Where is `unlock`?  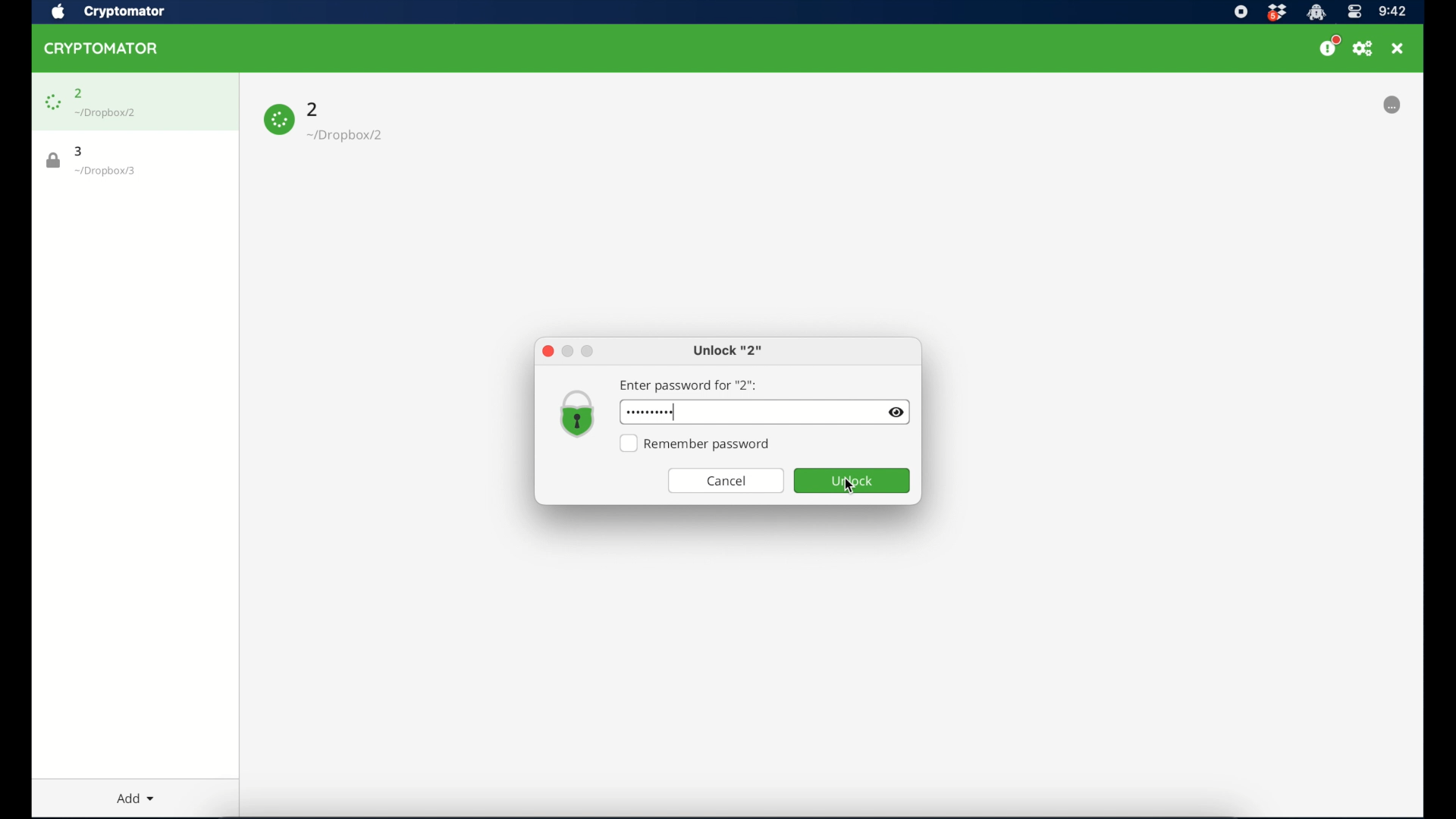 unlock is located at coordinates (852, 481).